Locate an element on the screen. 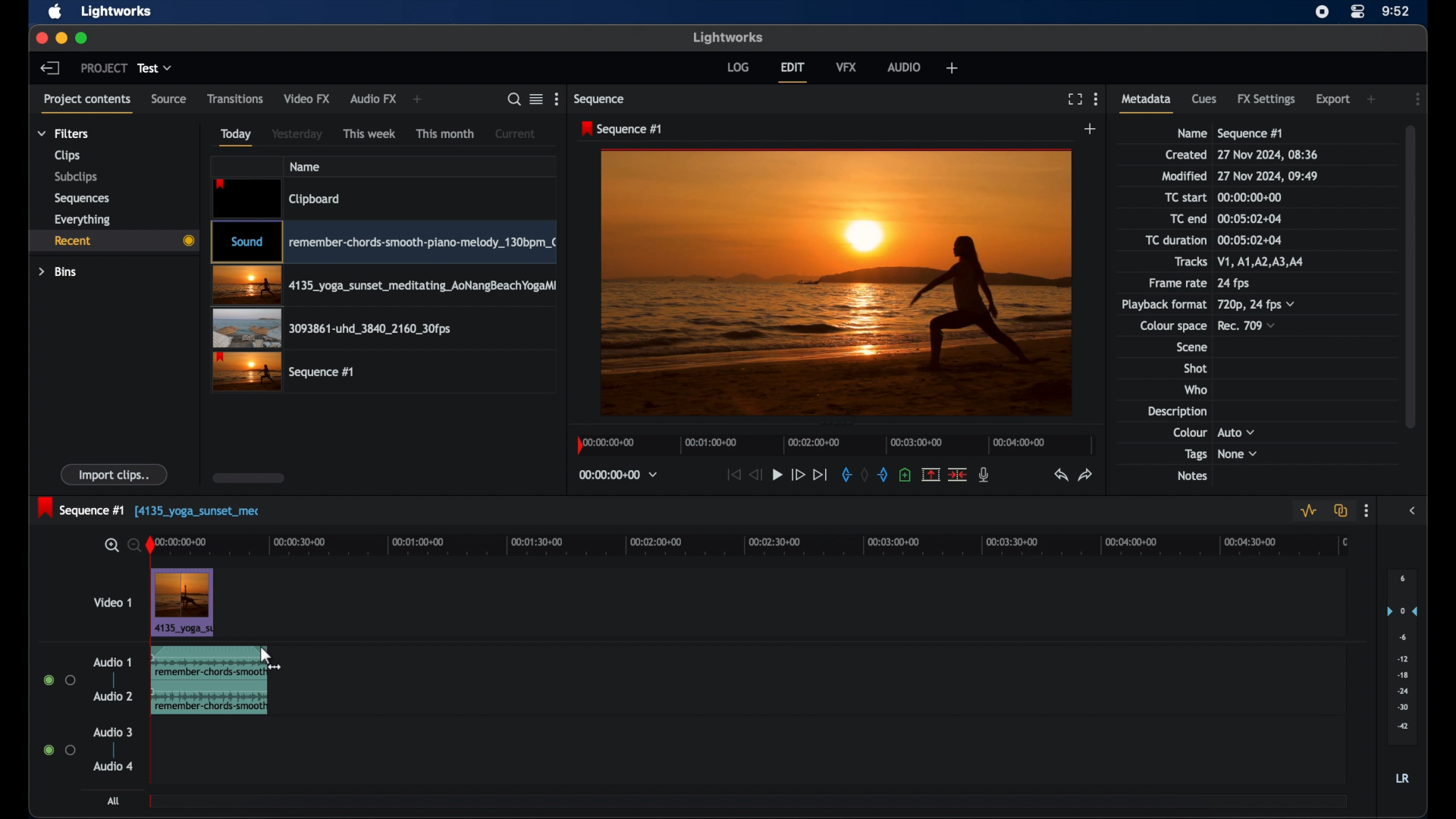  fx settongs is located at coordinates (1268, 99).